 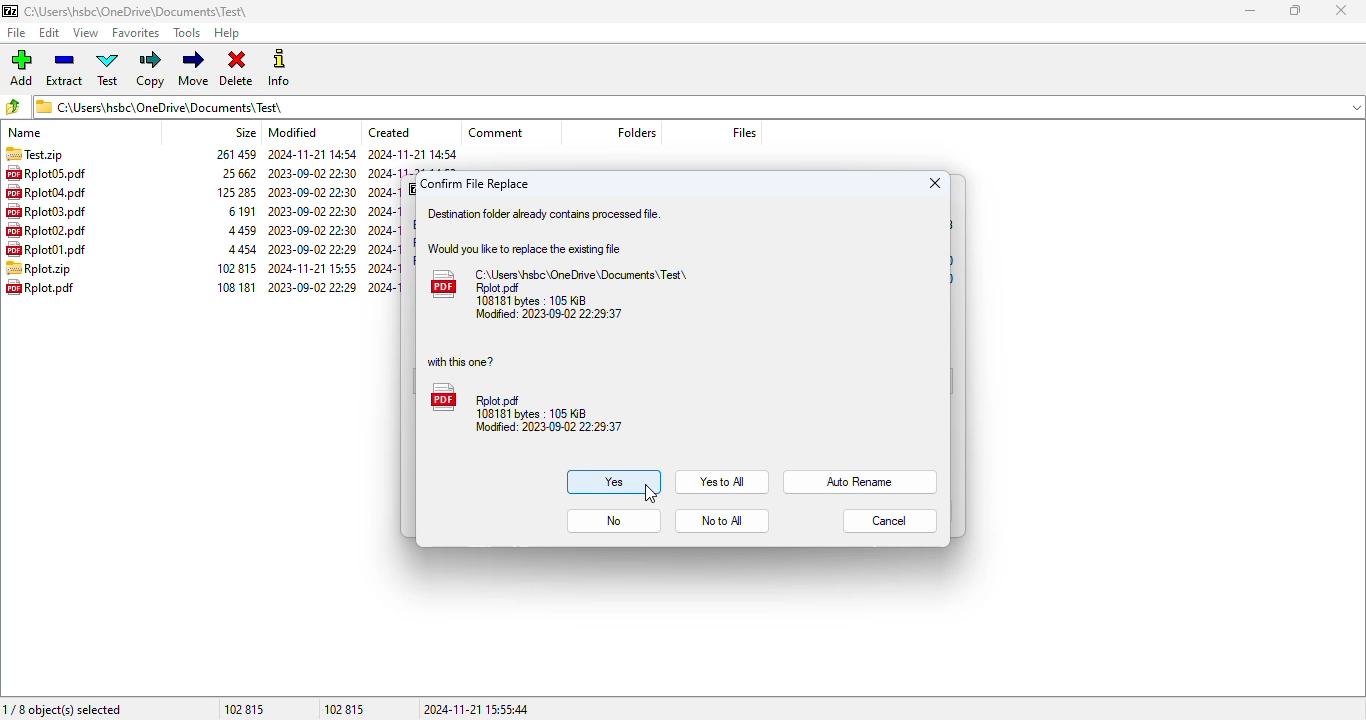 I want to click on file, so click(x=18, y=33).